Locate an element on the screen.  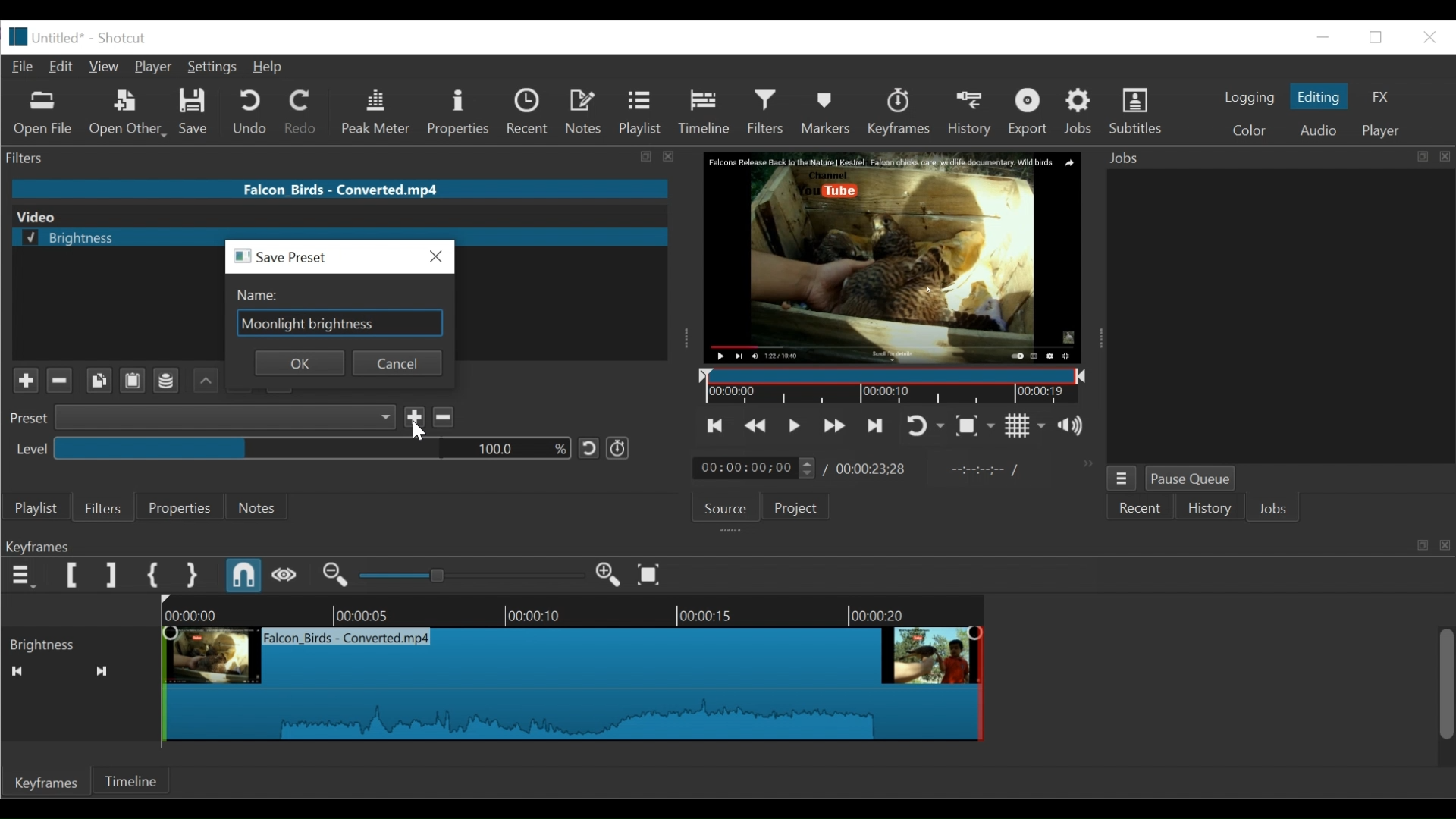
Playlist is located at coordinates (640, 114).